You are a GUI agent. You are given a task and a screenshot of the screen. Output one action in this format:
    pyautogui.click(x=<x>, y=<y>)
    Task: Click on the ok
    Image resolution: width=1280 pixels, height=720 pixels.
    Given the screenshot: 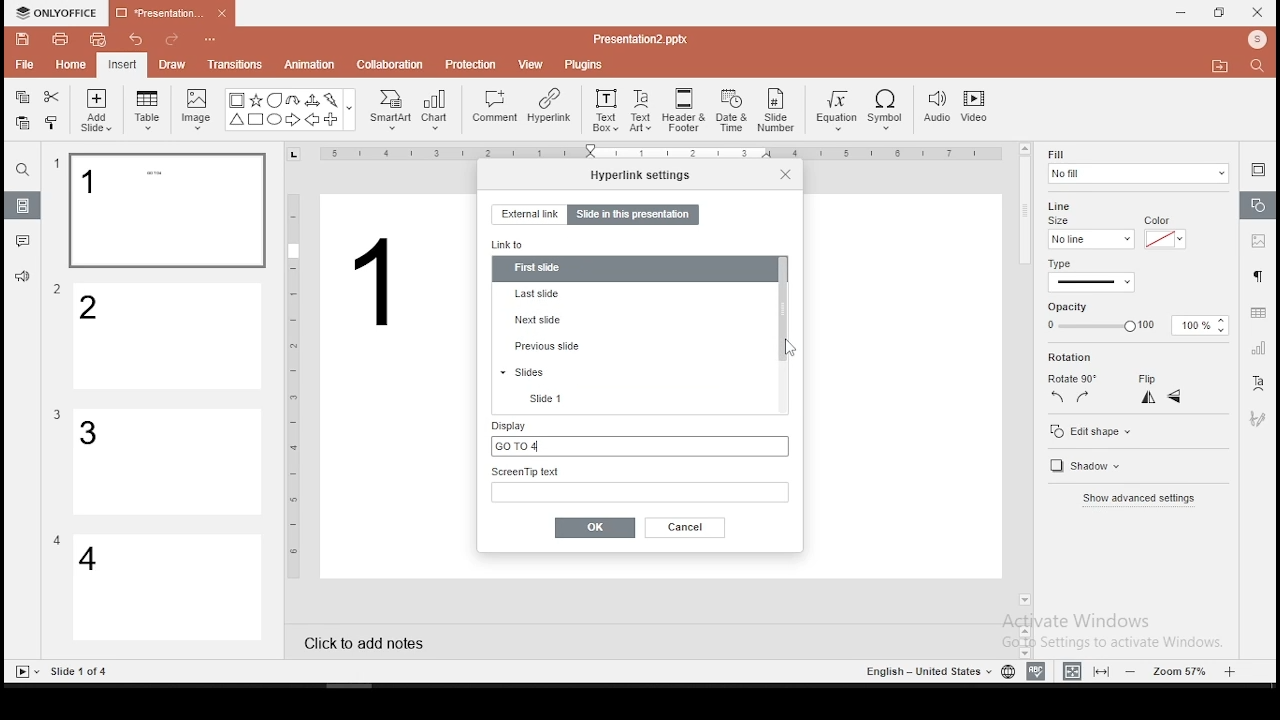 What is the action you would take?
    pyautogui.click(x=595, y=527)
    